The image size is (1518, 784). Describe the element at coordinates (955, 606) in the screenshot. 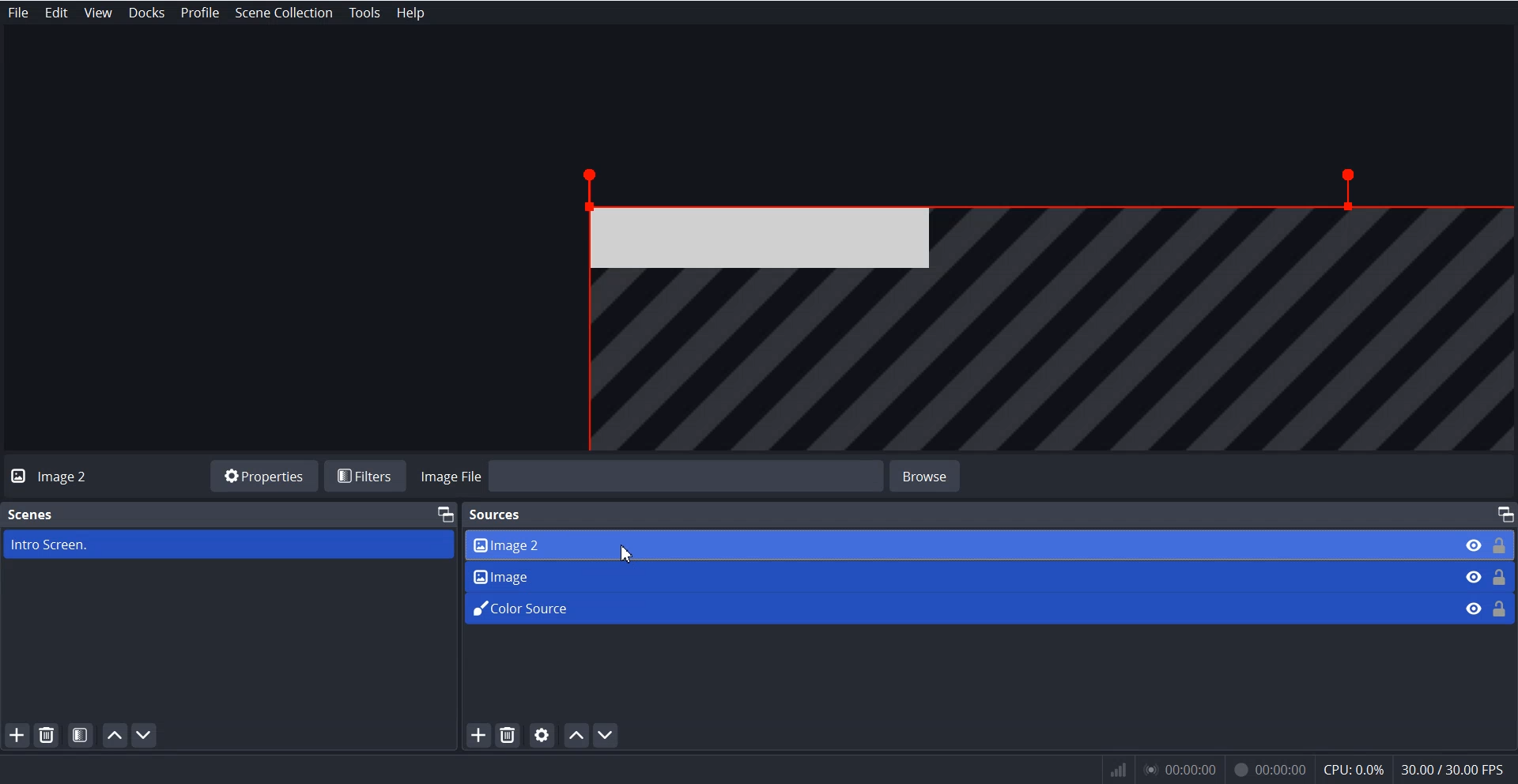

I see `Color Source` at that location.